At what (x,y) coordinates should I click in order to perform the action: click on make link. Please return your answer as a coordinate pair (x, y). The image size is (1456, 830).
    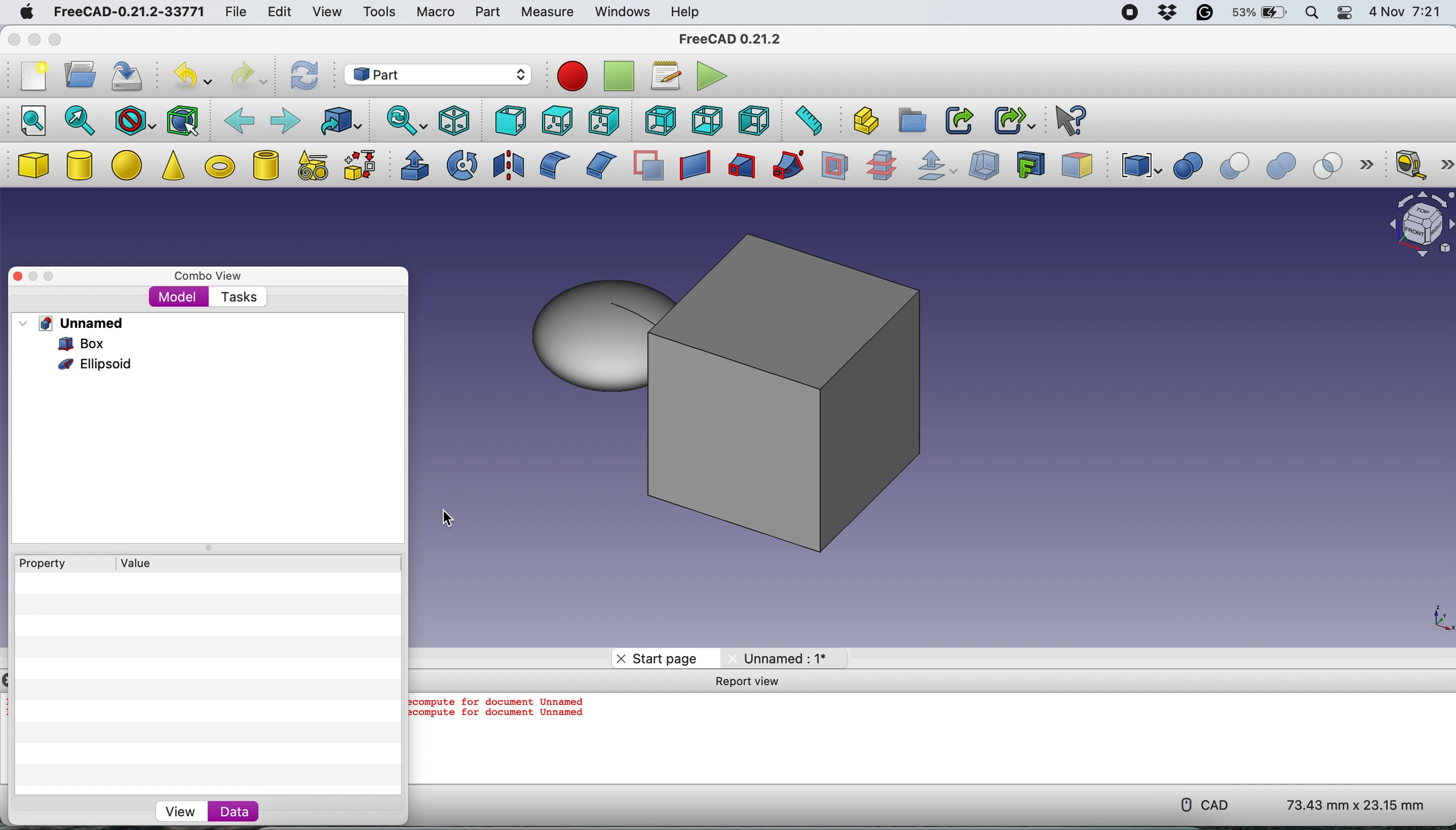
    Looking at the image, I should click on (959, 120).